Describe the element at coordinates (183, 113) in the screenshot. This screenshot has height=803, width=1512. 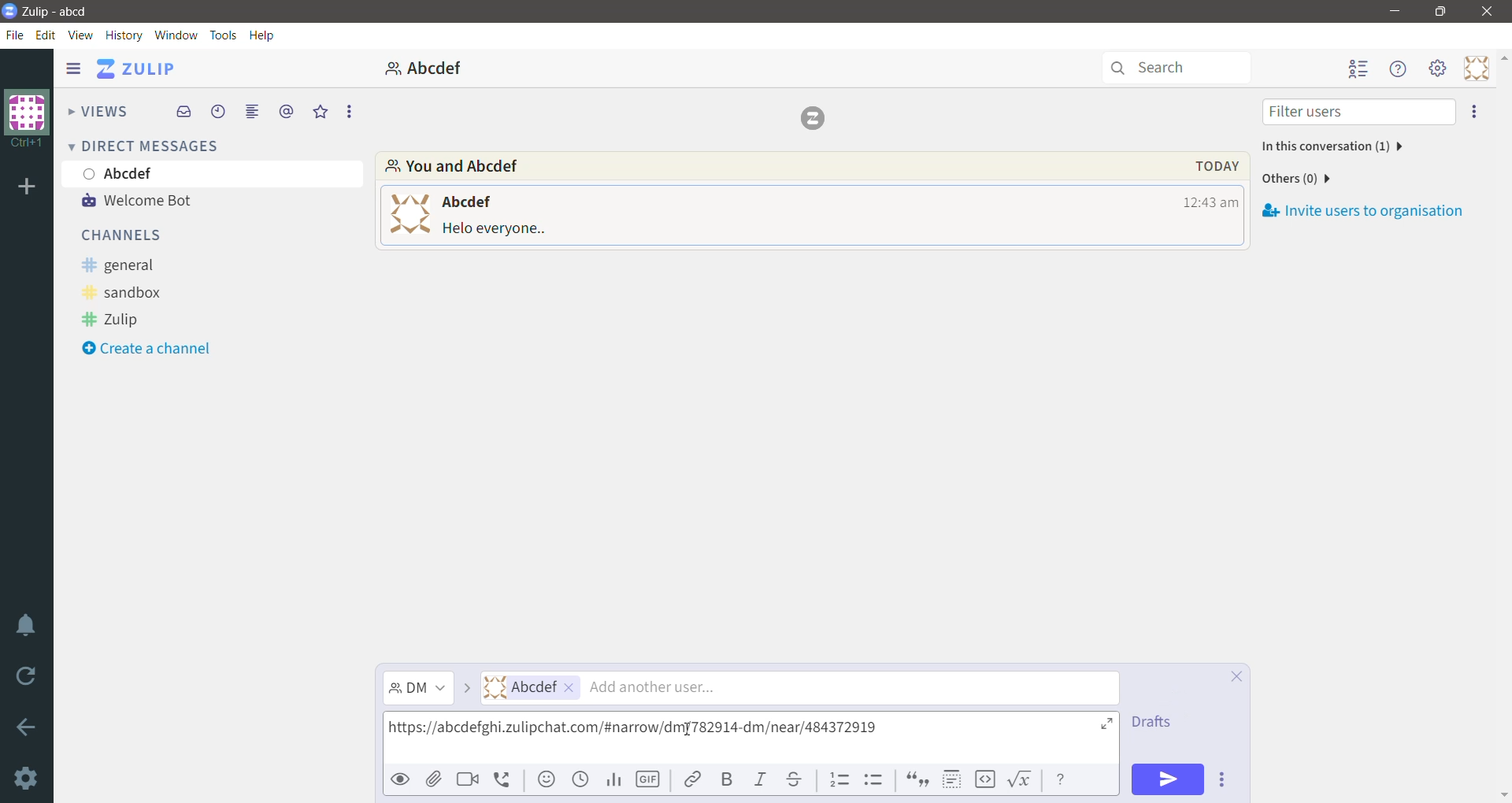
I see `Inbox` at that location.